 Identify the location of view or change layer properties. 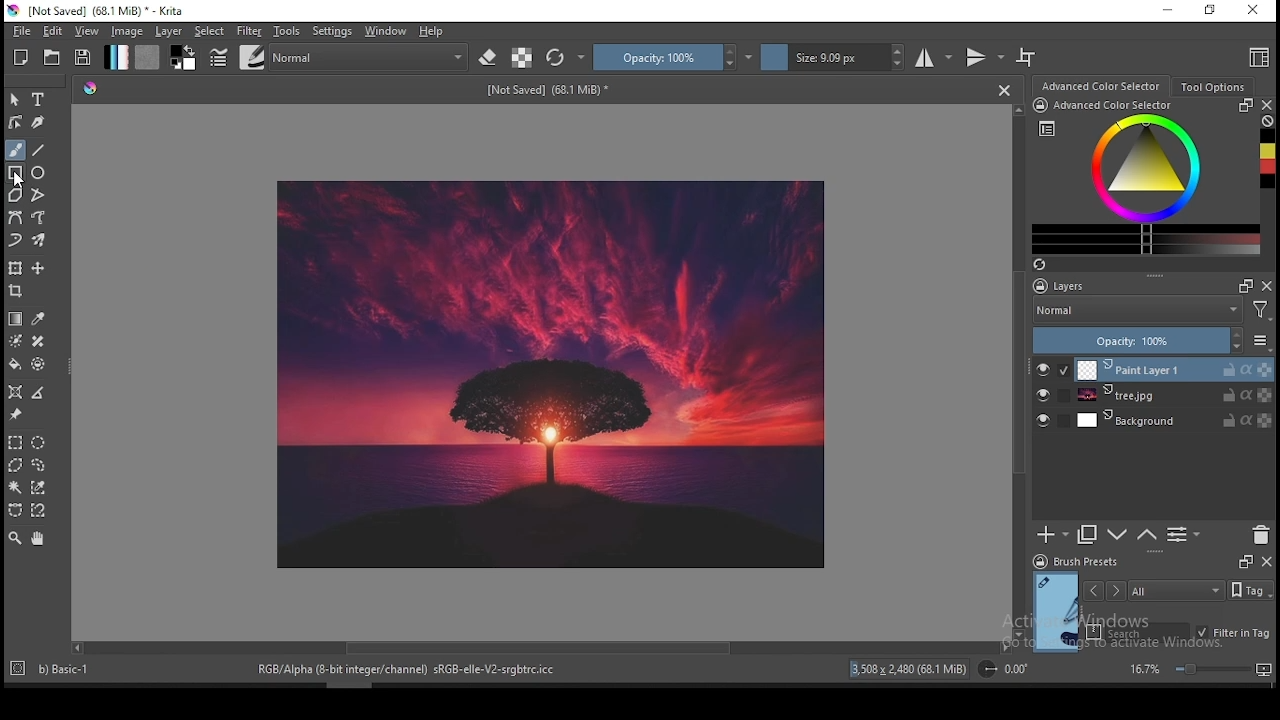
(1184, 535).